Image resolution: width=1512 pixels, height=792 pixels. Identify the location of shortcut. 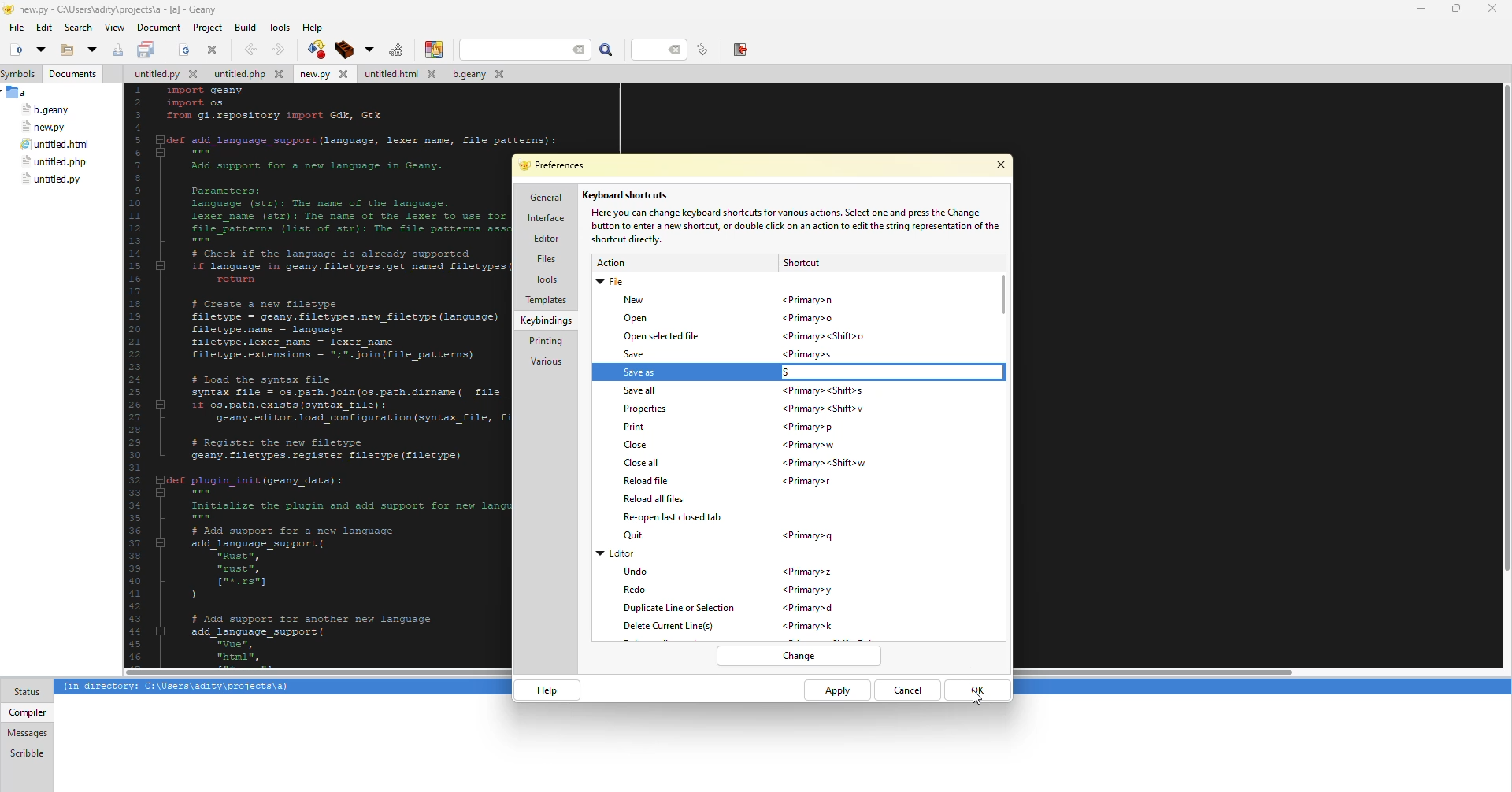
(811, 319).